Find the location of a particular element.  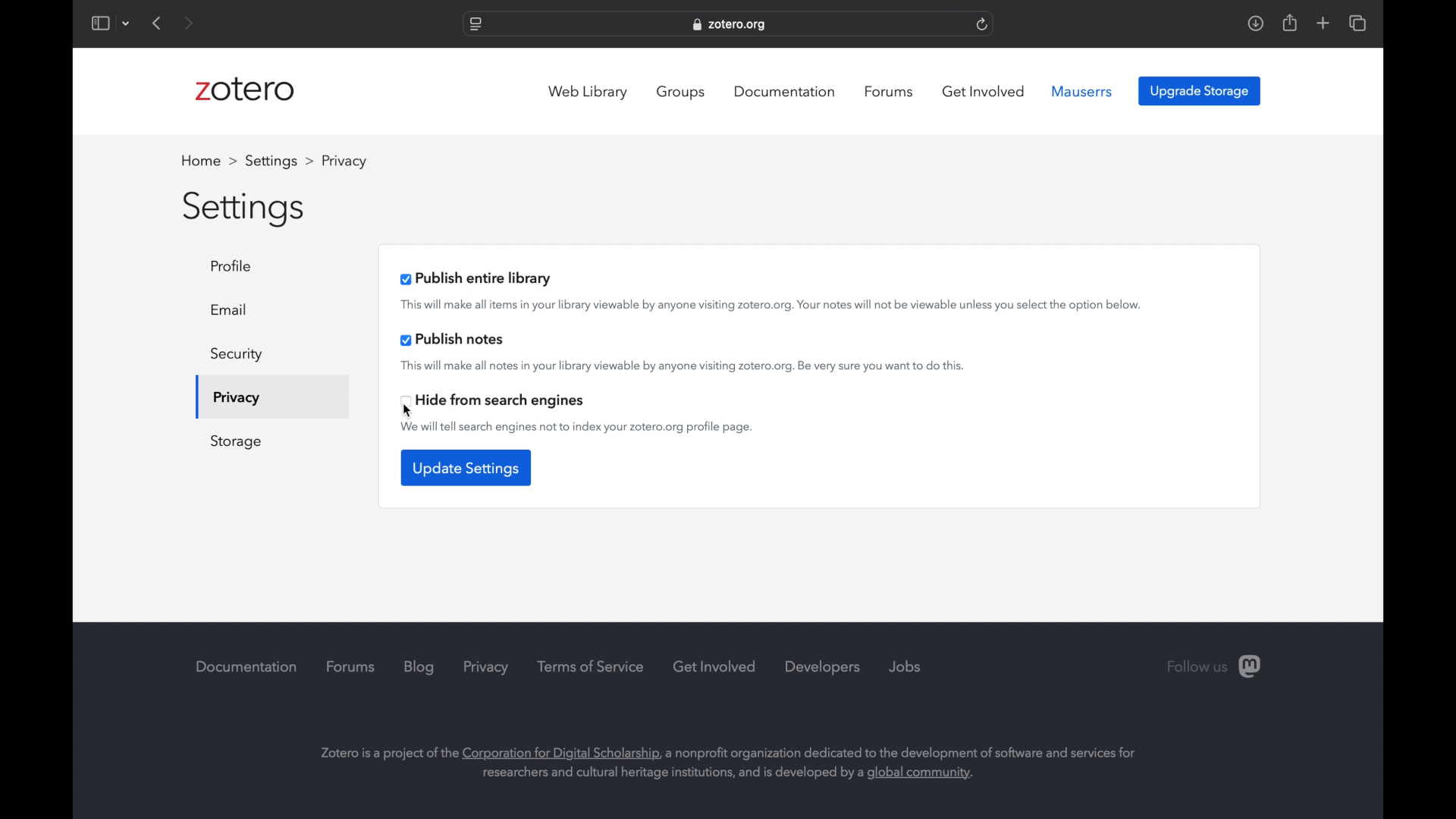

this will make all item sin your library viewable by anyone visiting is located at coordinates (773, 306).